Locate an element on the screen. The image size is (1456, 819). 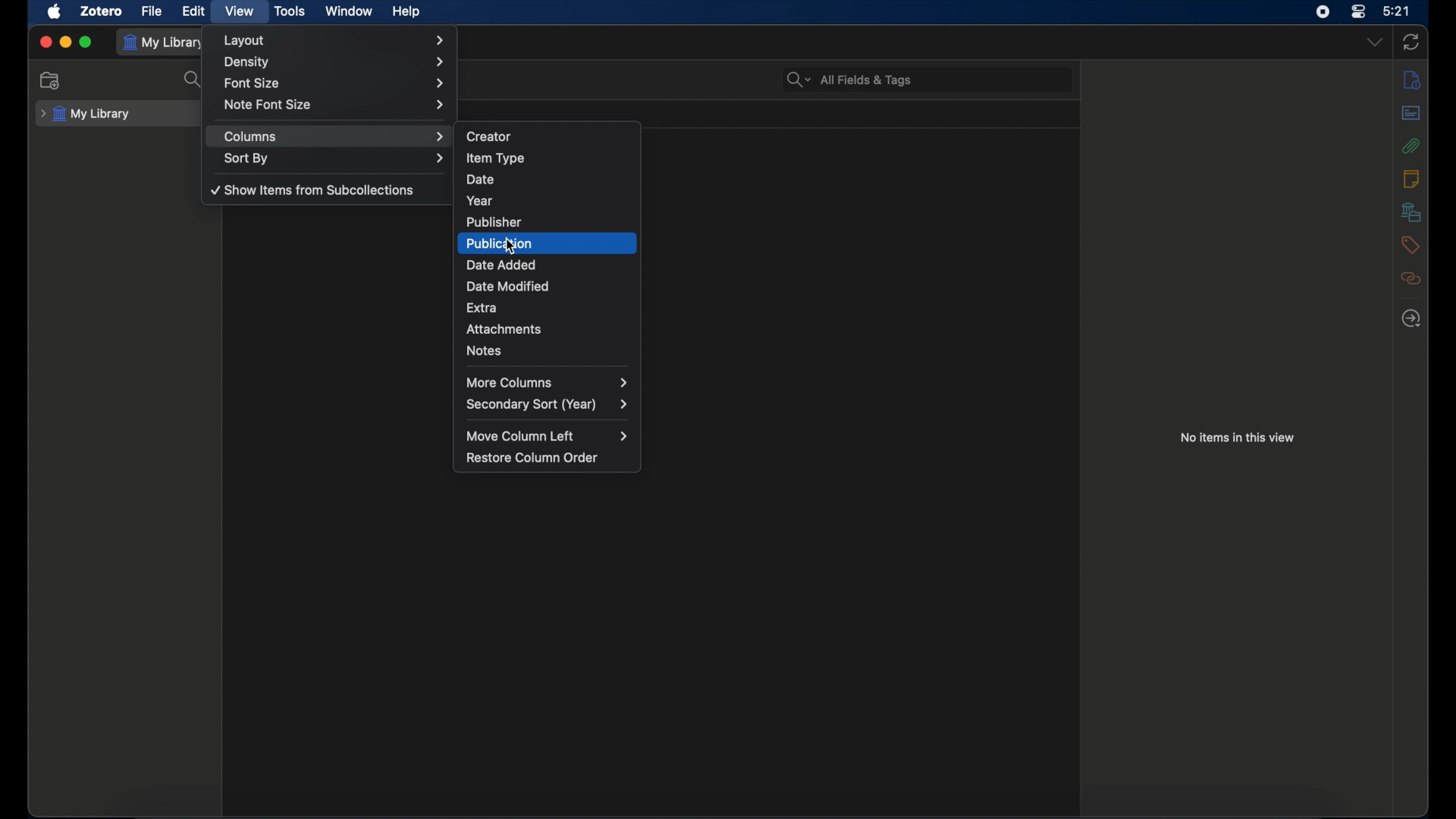
density is located at coordinates (336, 62).